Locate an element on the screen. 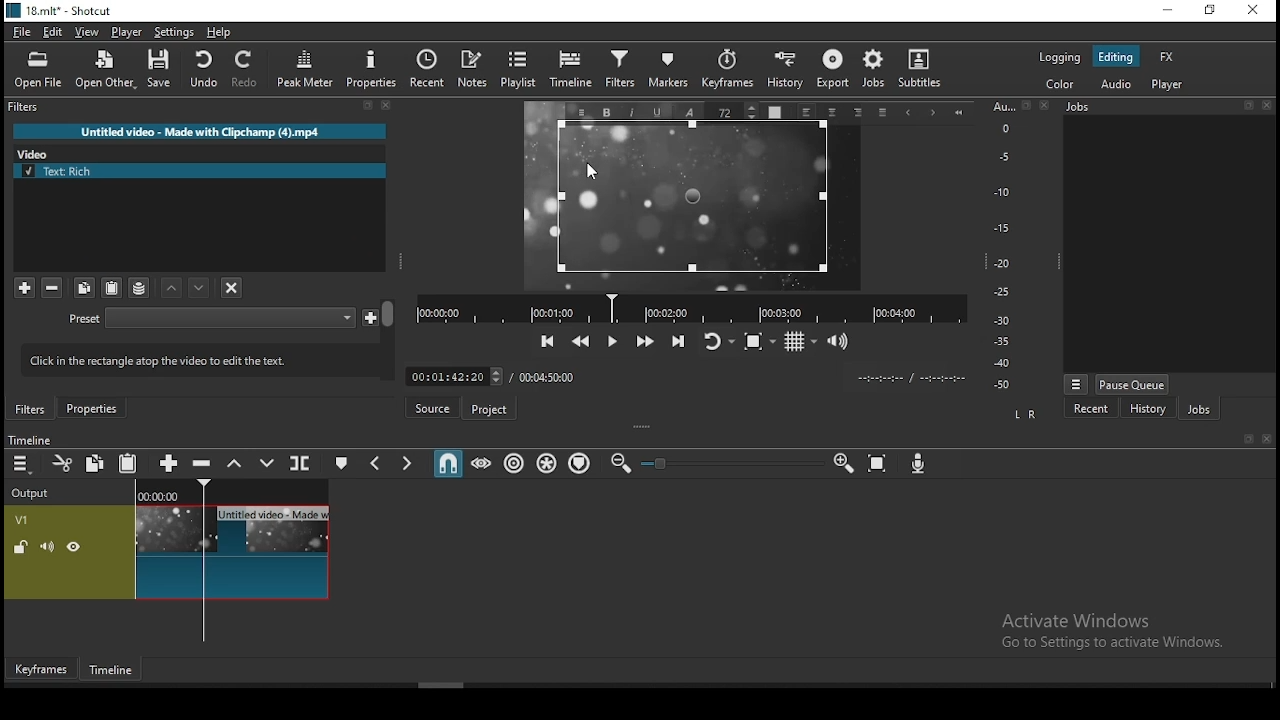 The width and height of the screenshot is (1280, 720). Italic is located at coordinates (633, 113).